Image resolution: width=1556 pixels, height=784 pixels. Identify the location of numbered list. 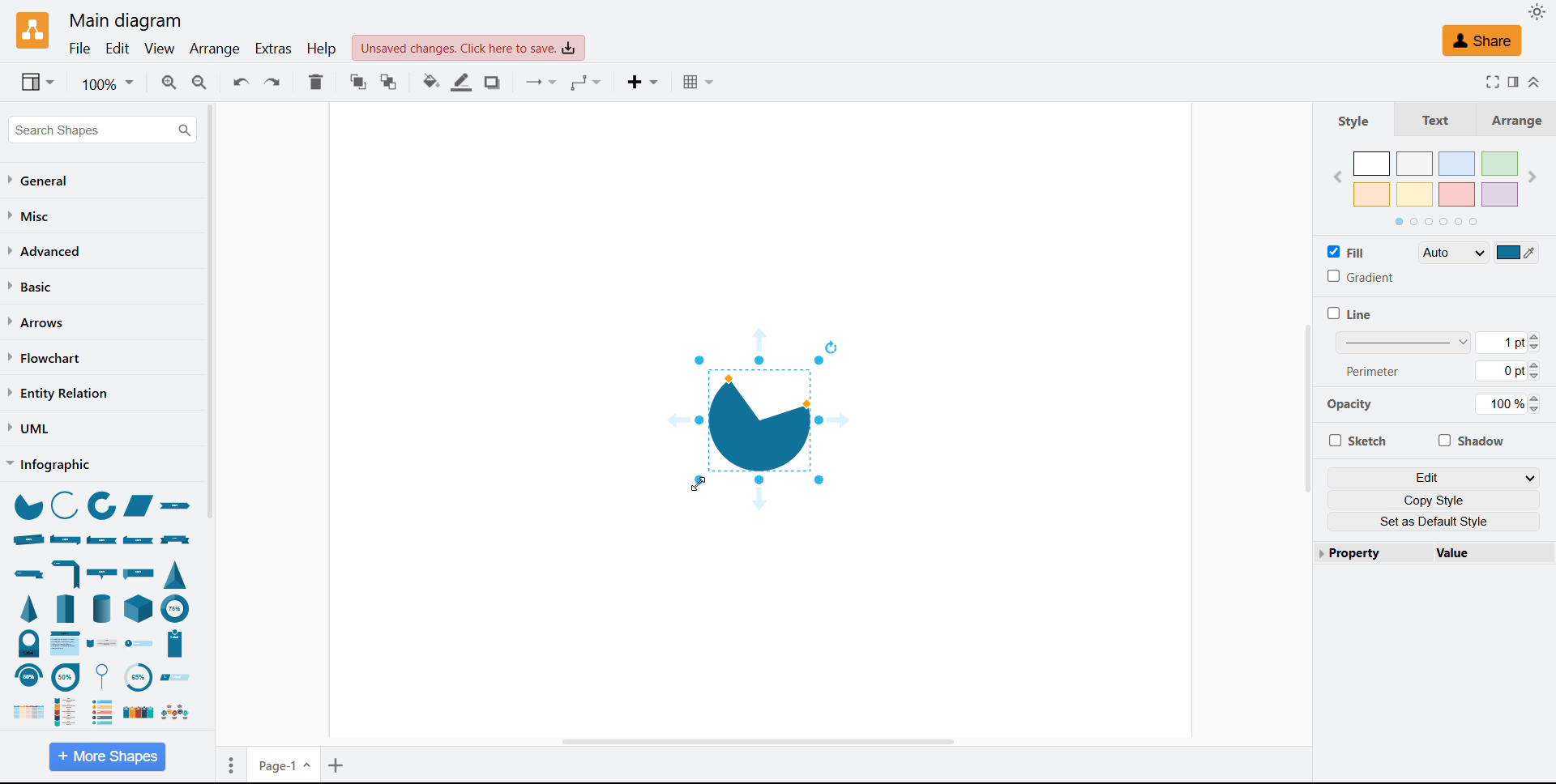
(103, 711).